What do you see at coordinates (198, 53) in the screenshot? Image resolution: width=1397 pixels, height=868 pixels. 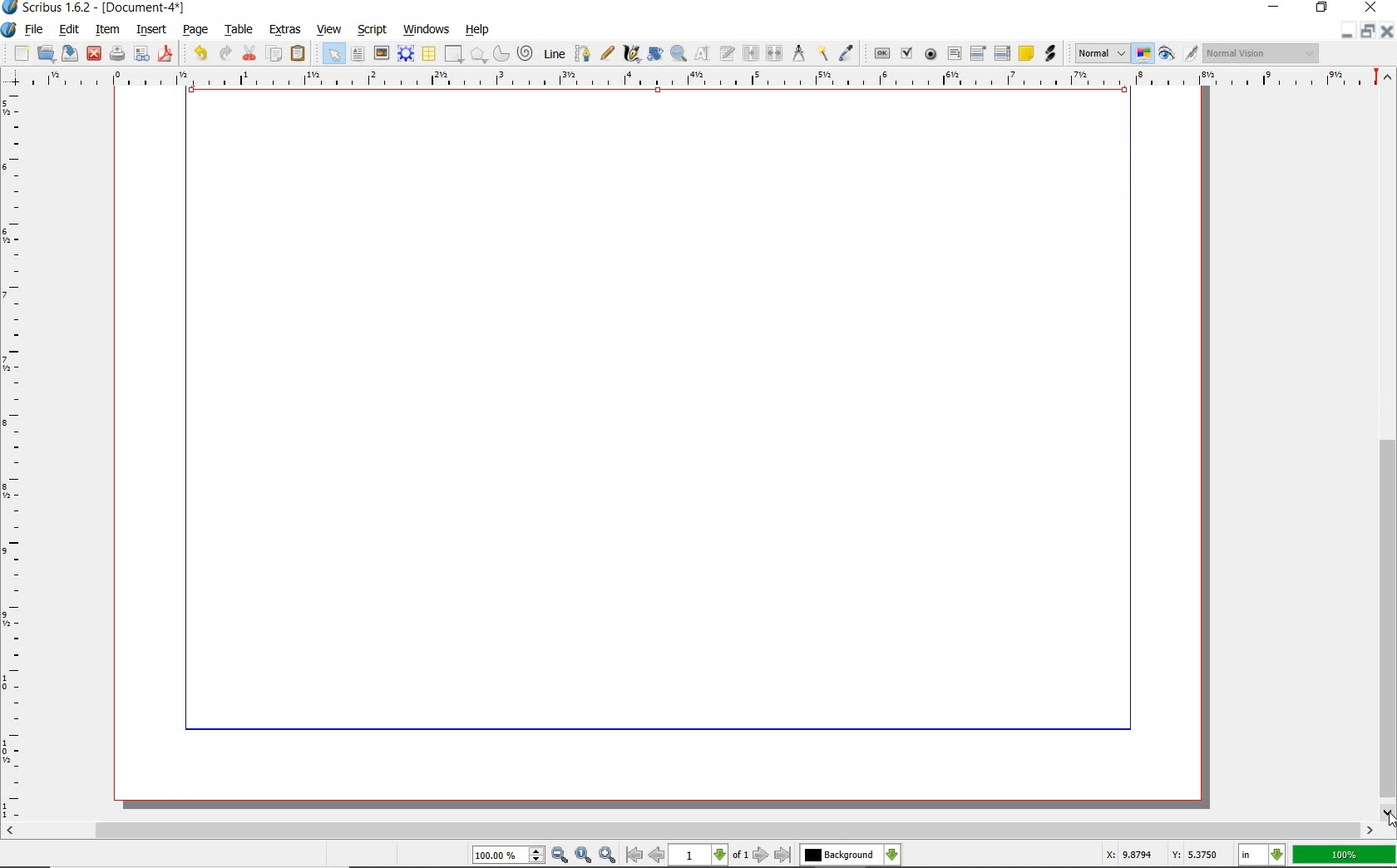 I see `undo` at bounding box center [198, 53].